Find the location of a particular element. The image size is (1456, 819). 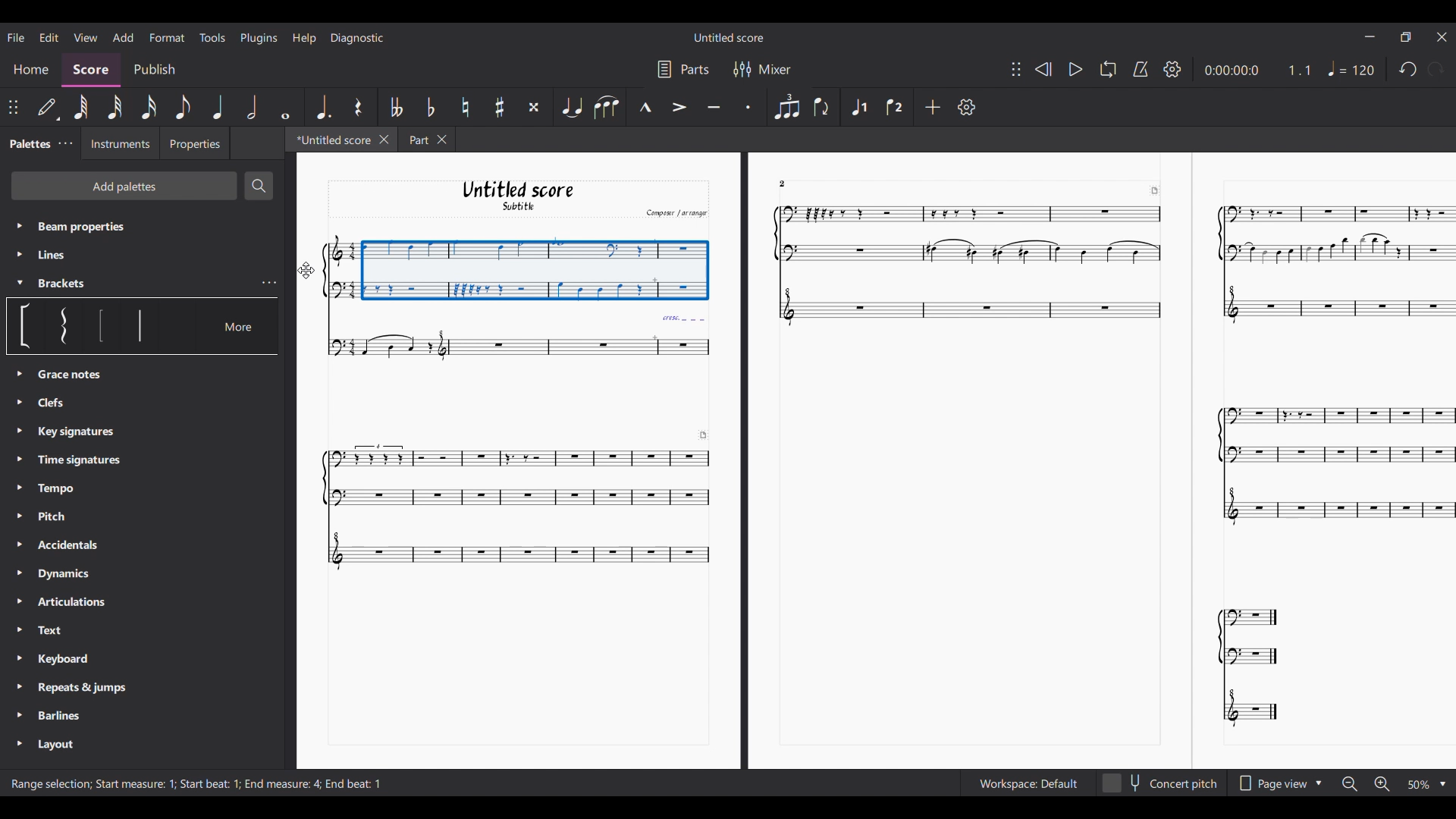

 is located at coordinates (523, 356).